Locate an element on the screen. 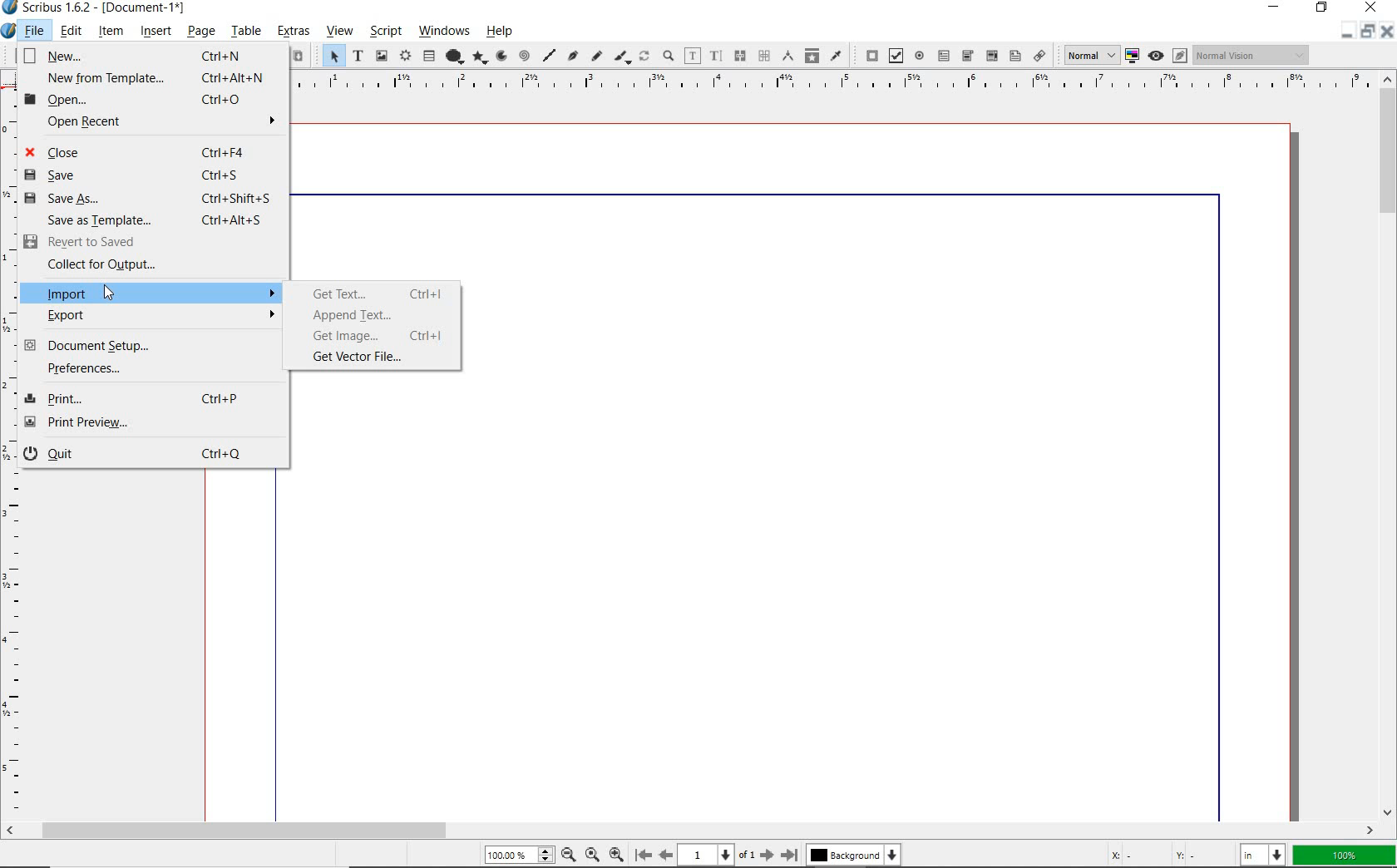 The width and height of the screenshot is (1397, 868). link annotation is located at coordinates (1039, 55).